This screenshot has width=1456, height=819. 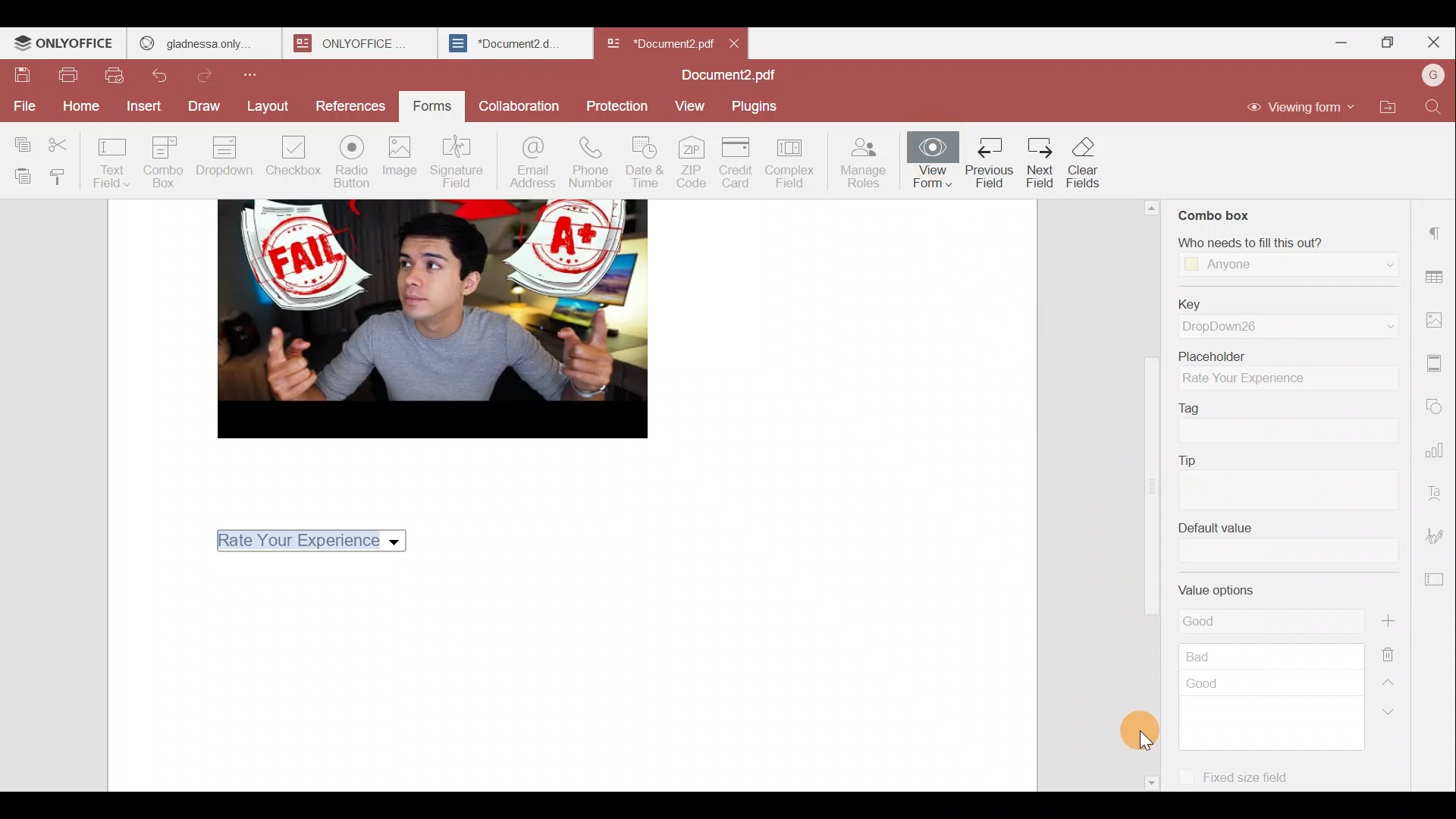 What do you see at coordinates (1389, 687) in the screenshot?
I see `Up` at bounding box center [1389, 687].